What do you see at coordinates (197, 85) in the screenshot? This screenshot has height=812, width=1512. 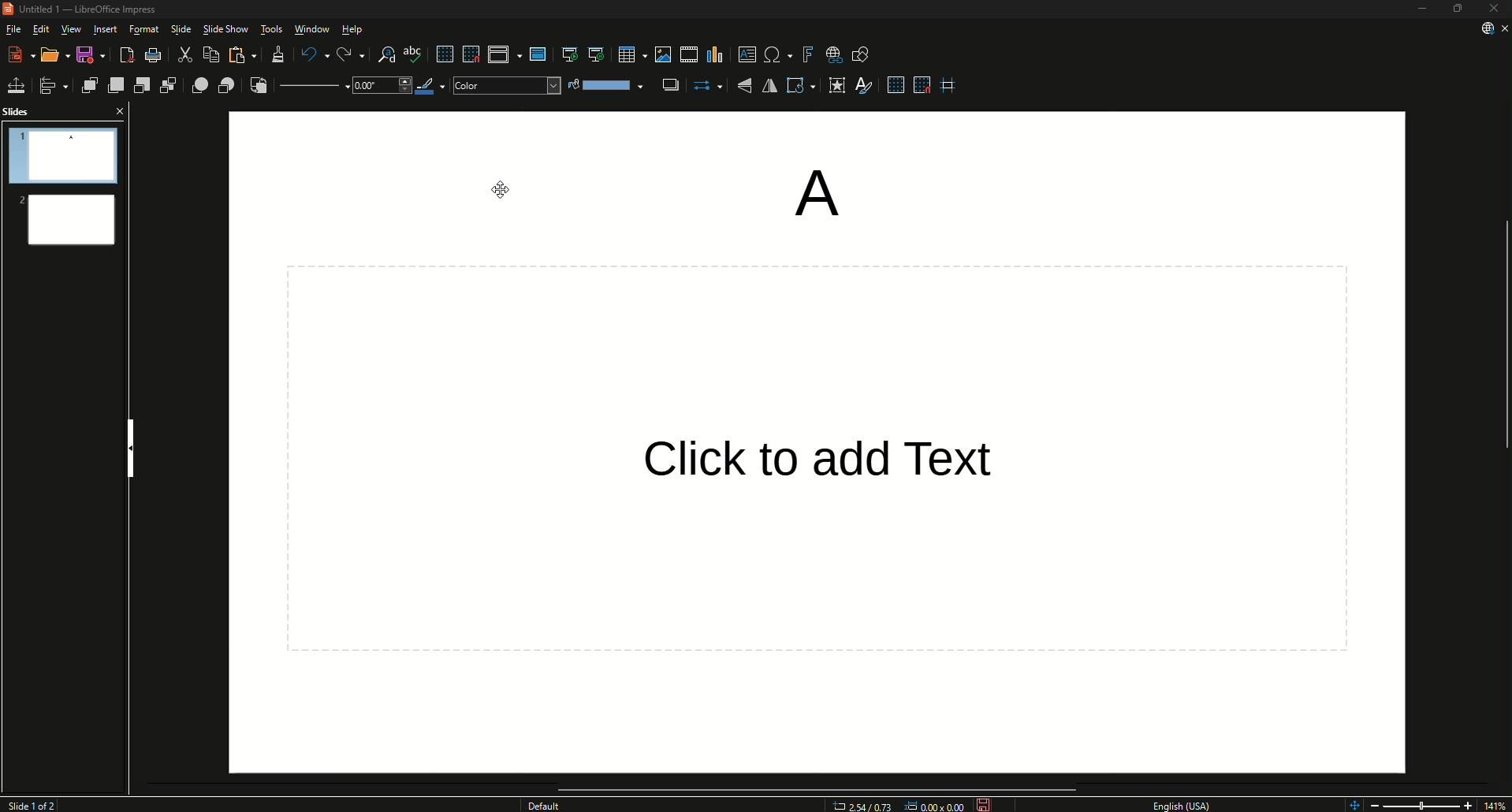 I see `In Front of Object` at bounding box center [197, 85].